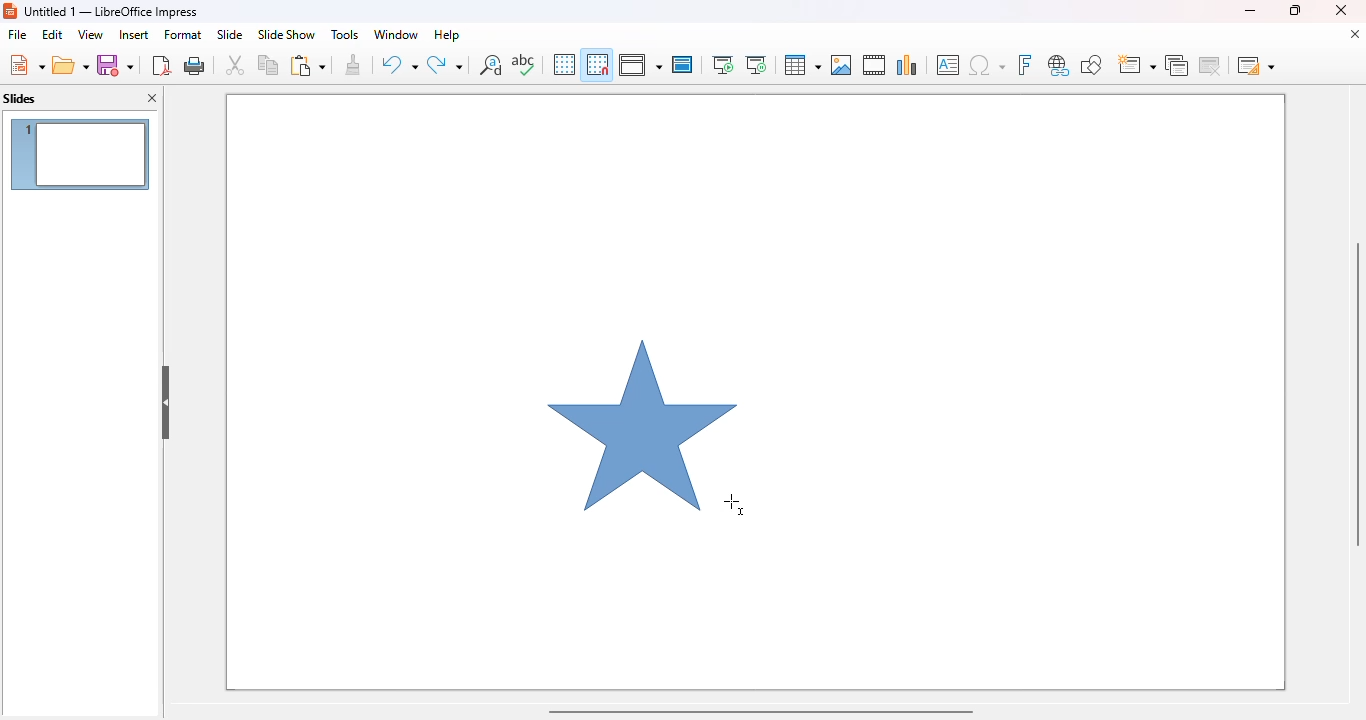 The height and width of the screenshot is (720, 1366). What do you see at coordinates (491, 64) in the screenshot?
I see `find and replace` at bounding box center [491, 64].